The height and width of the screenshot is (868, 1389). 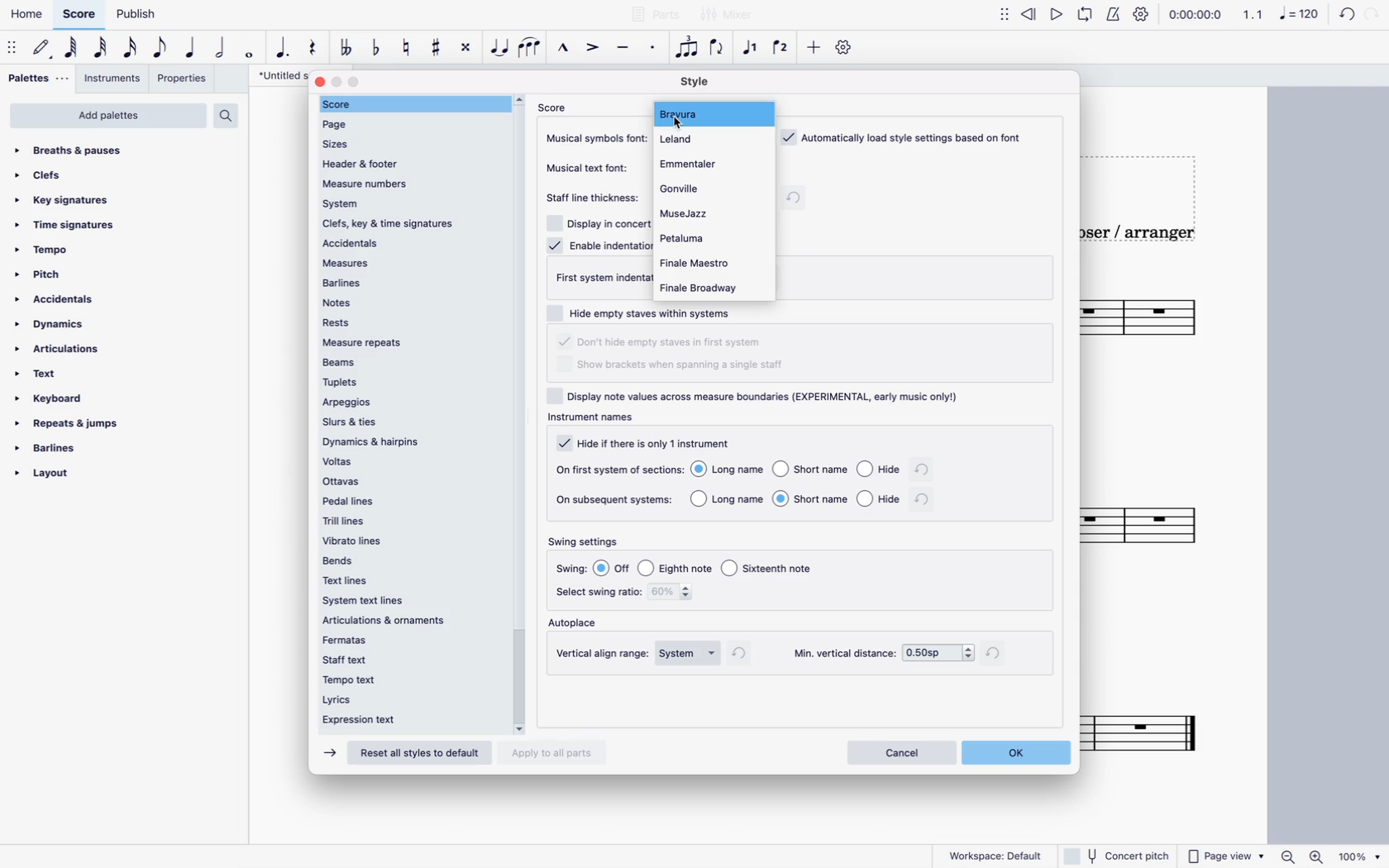 What do you see at coordinates (377, 46) in the screenshot?
I see `tune` at bounding box center [377, 46].